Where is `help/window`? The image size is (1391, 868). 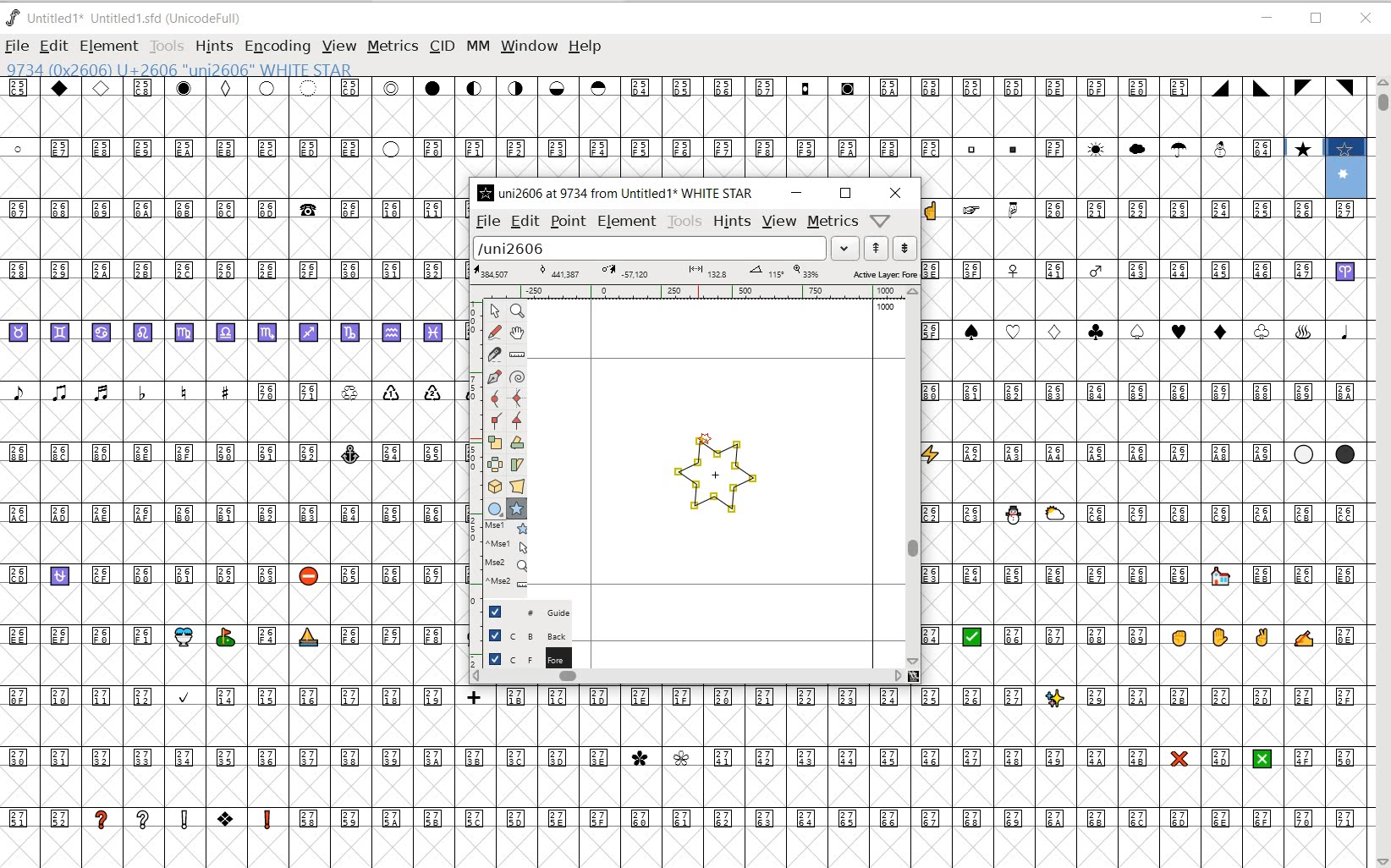 help/window is located at coordinates (880, 220).